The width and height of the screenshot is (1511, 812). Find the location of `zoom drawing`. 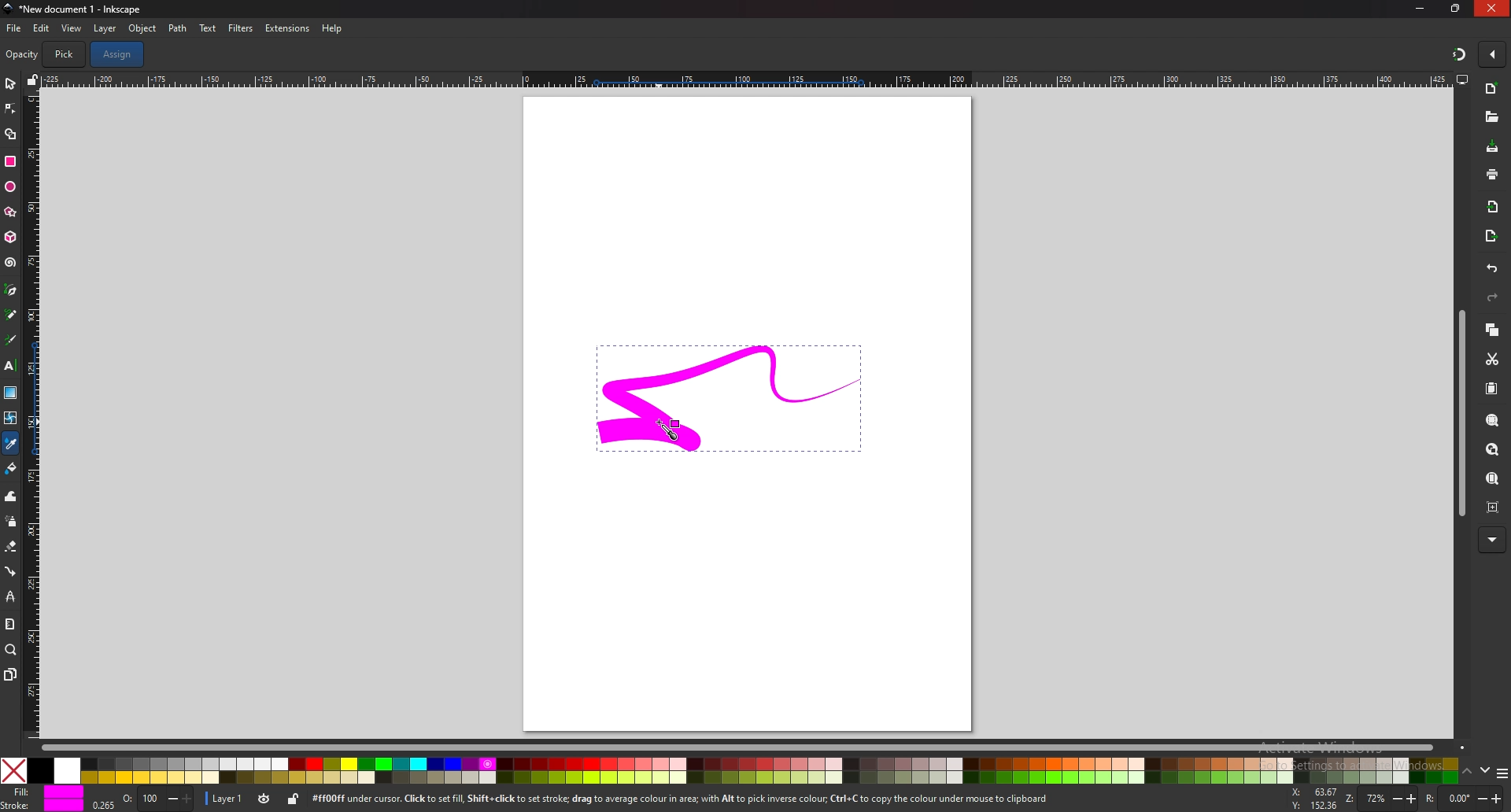

zoom drawing is located at coordinates (1494, 449).